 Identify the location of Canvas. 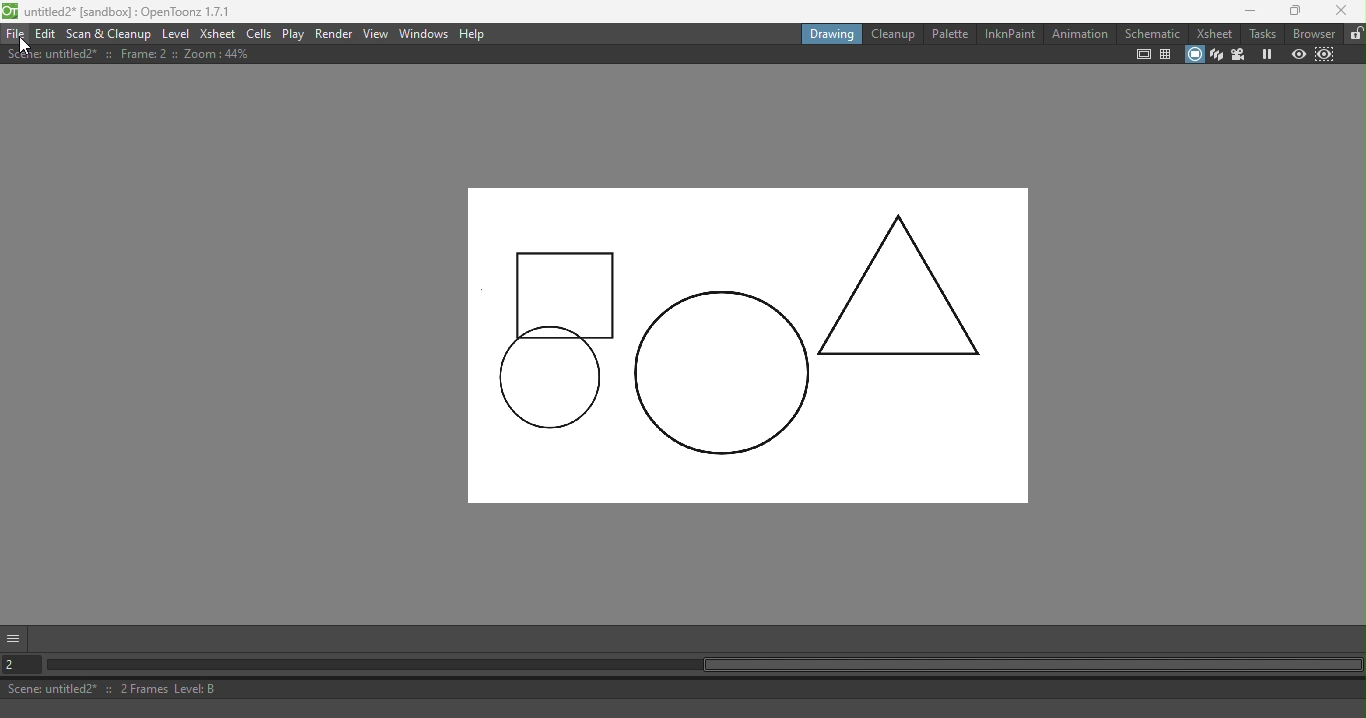
(758, 331).